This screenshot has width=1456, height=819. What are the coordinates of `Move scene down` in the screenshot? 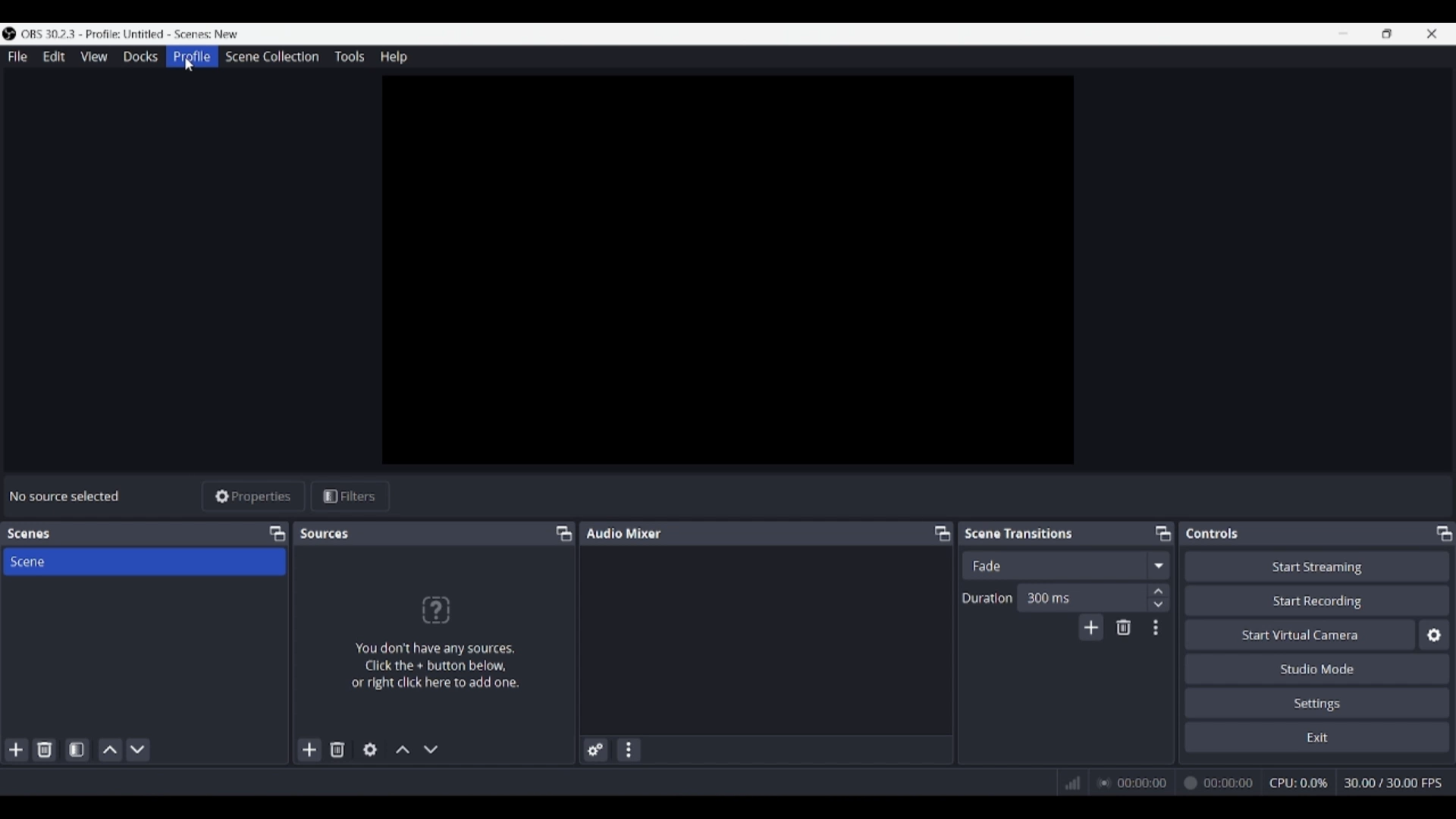 It's located at (137, 750).